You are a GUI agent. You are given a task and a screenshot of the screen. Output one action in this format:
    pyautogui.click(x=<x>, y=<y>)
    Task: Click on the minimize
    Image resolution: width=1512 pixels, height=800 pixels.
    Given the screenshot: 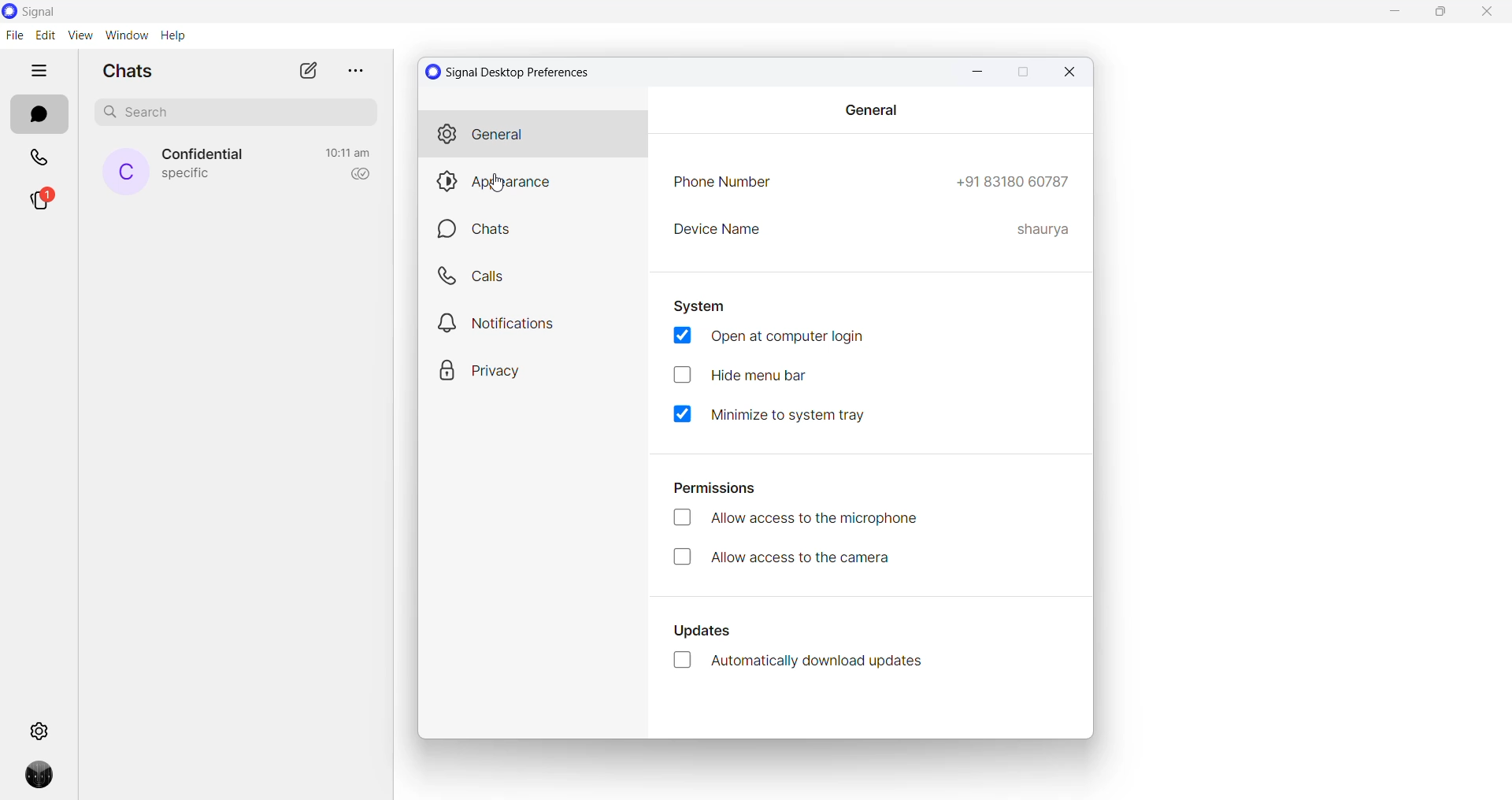 What is the action you would take?
    pyautogui.click(x=1398, y=13)
    